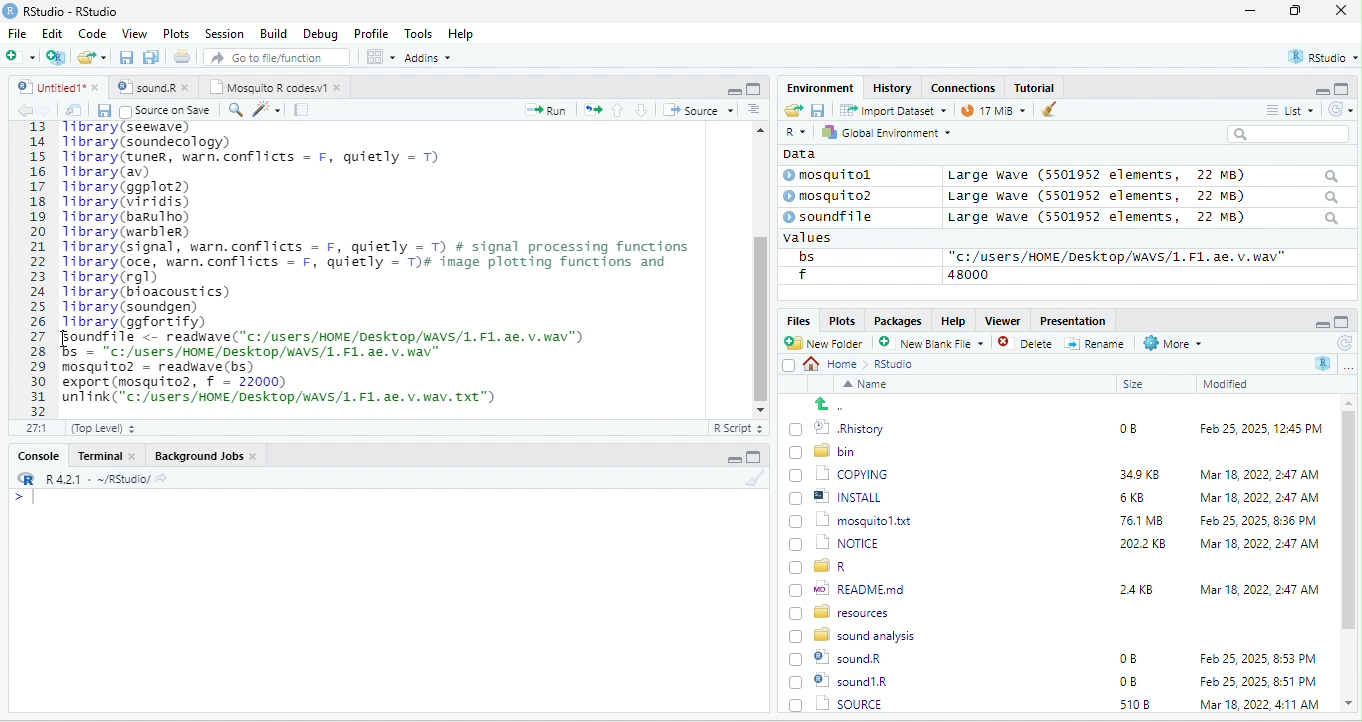  What do you see at coordinates (276, 87) in the screenshot?
I see `Mosquito R codes.v1` at bounding box center [276, 87].